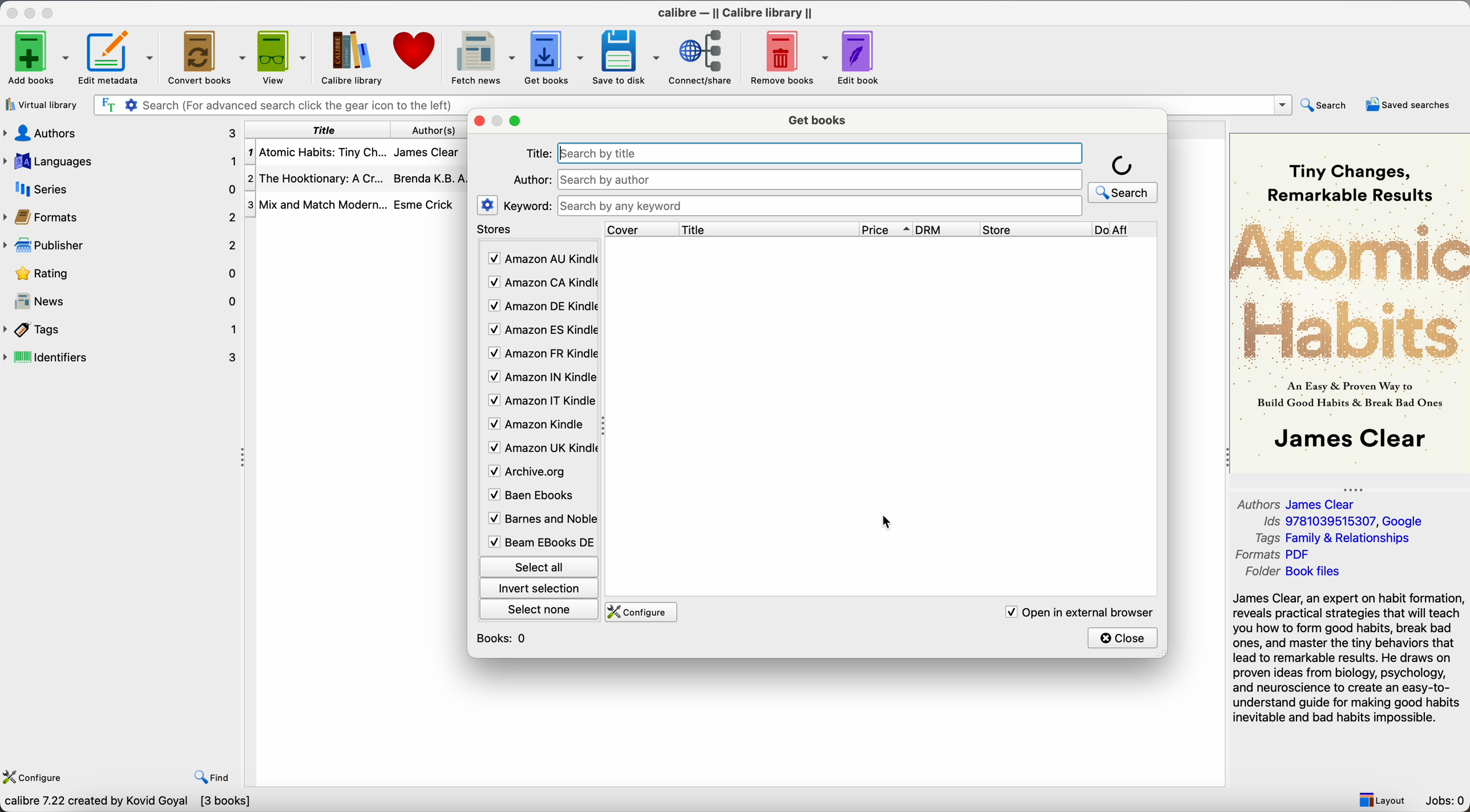  Describe the element at coordinates (32, 11) in the screenshot. I see `minimize app` at that location.